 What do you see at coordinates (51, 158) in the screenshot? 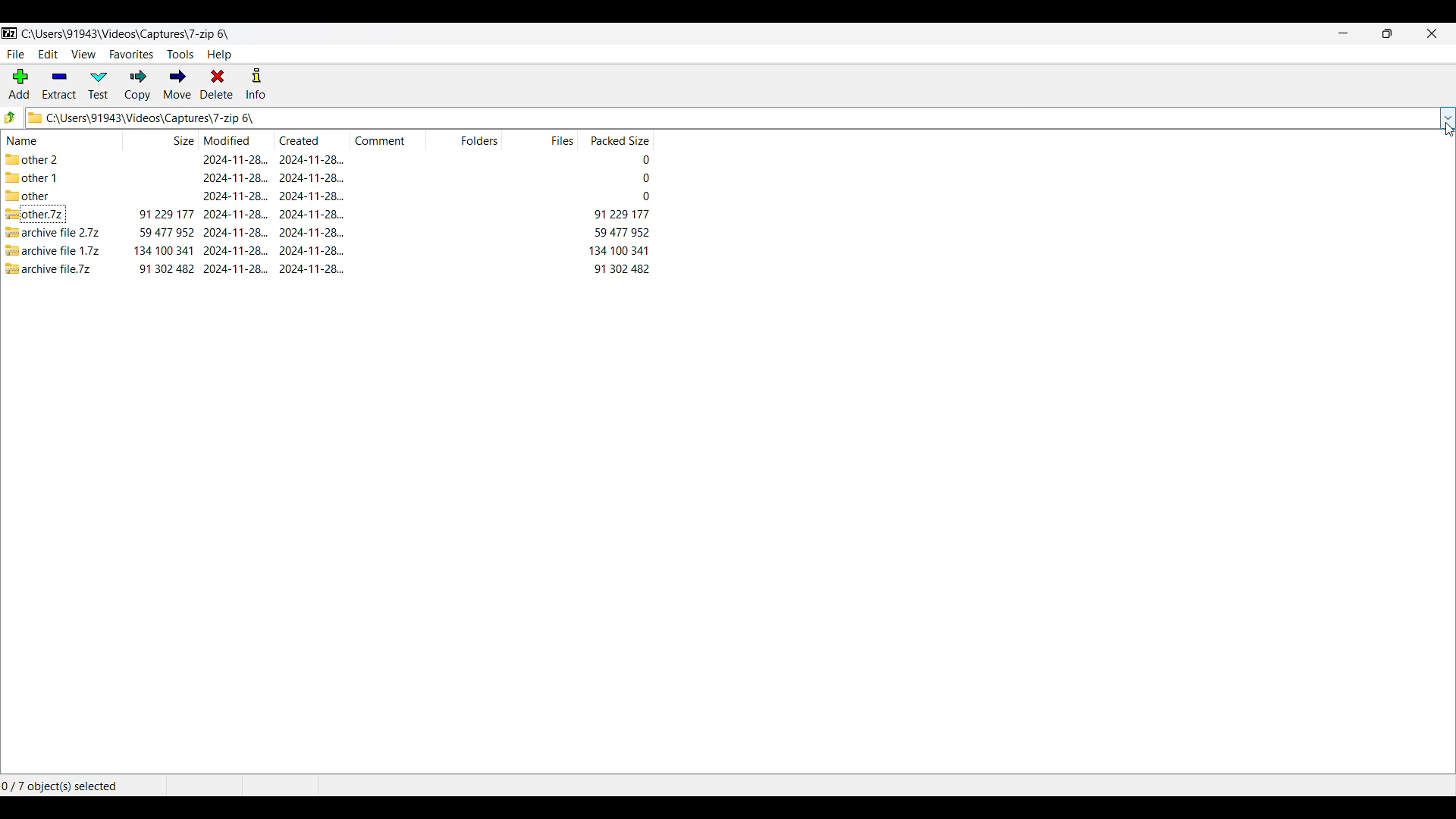
I see `folder` at bounding box center [51, 158].